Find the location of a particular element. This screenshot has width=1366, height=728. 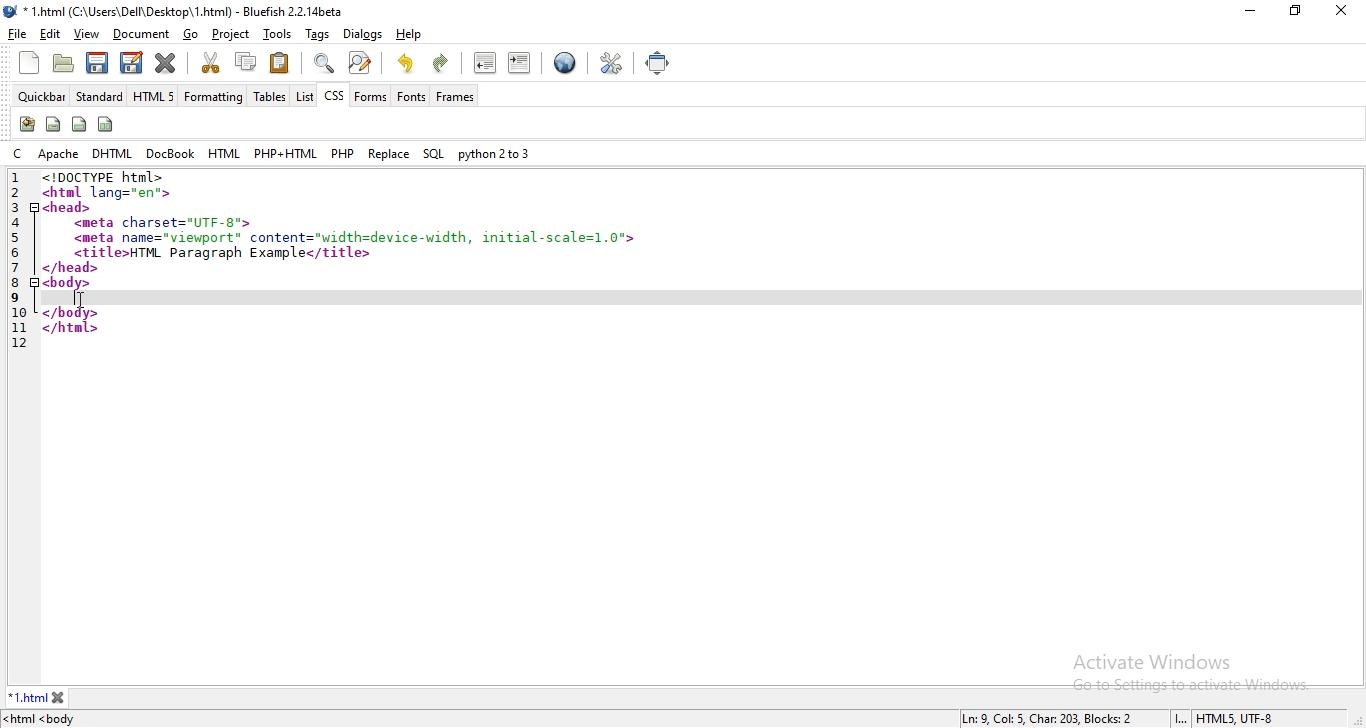

open file is located at coordinates (63, 63).